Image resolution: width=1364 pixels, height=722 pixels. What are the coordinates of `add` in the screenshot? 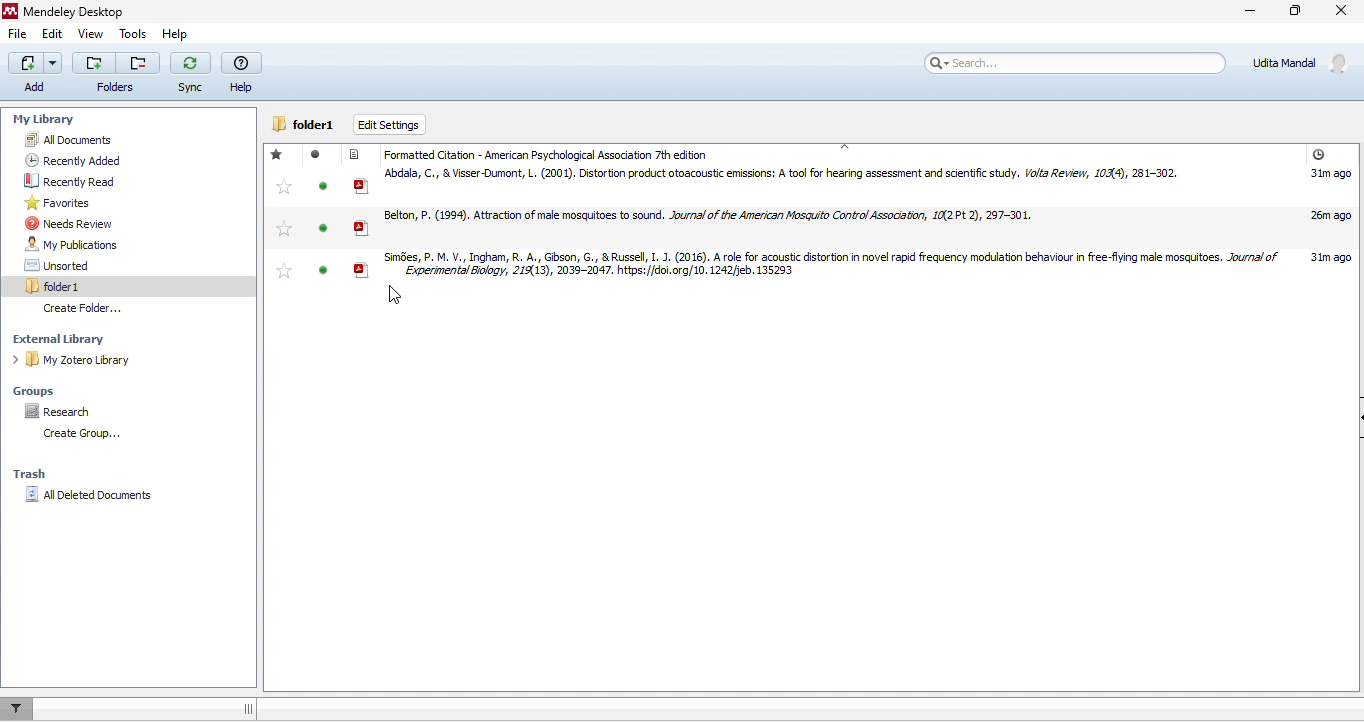 It's located at (32, 73).